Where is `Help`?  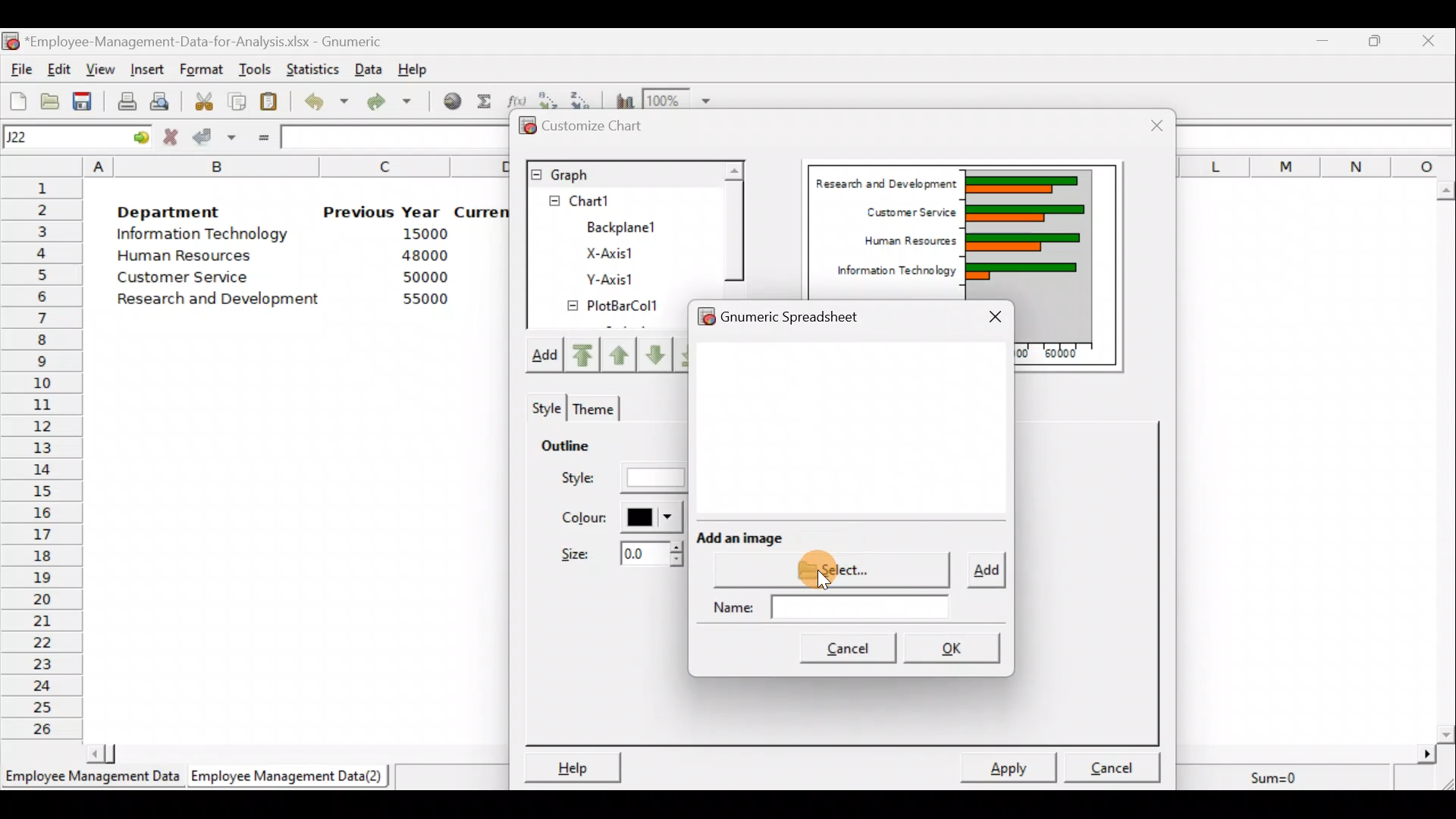
Help is located at coordinates (413, 66).